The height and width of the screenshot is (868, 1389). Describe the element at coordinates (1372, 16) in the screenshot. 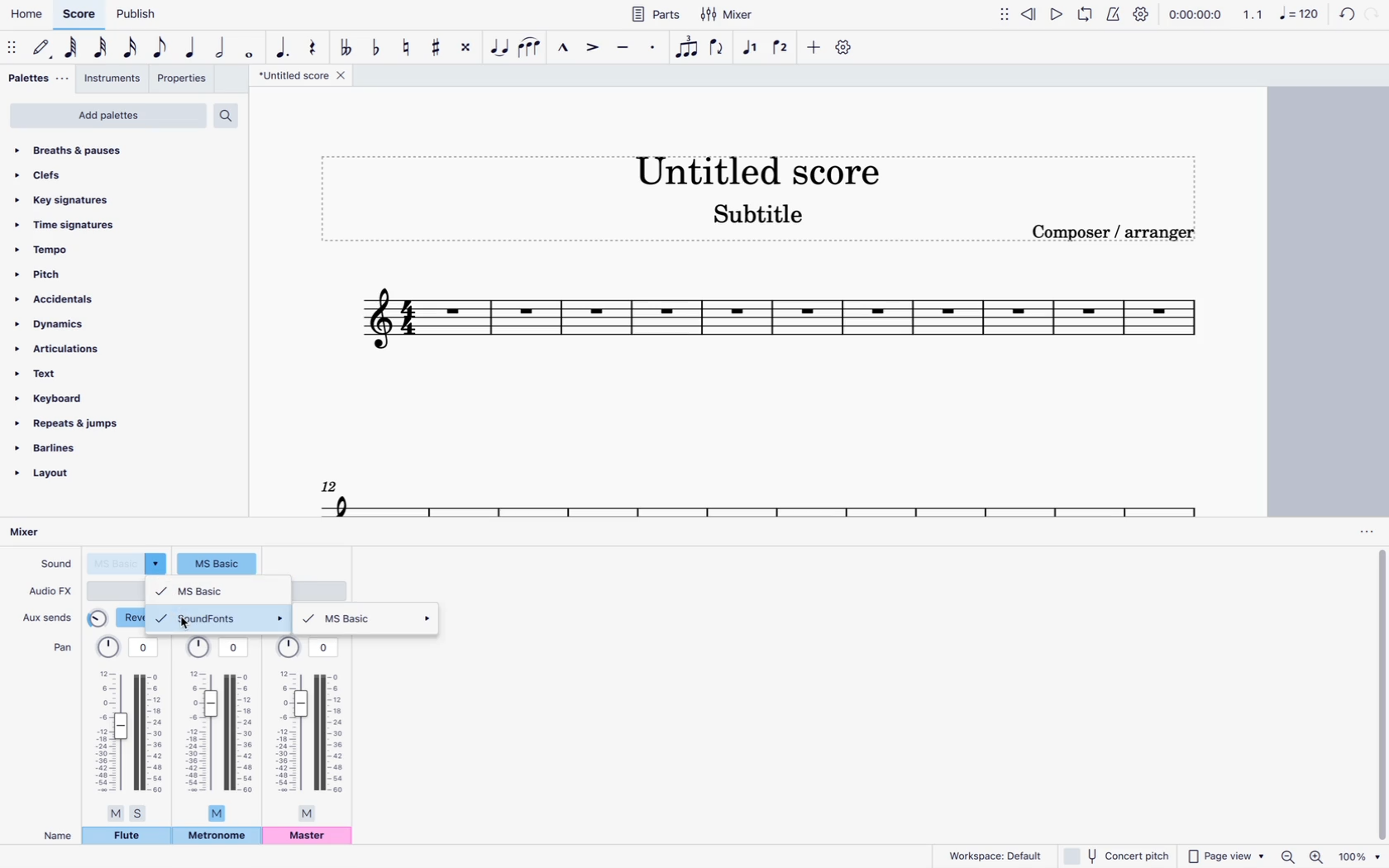

I see `forward` at that location.